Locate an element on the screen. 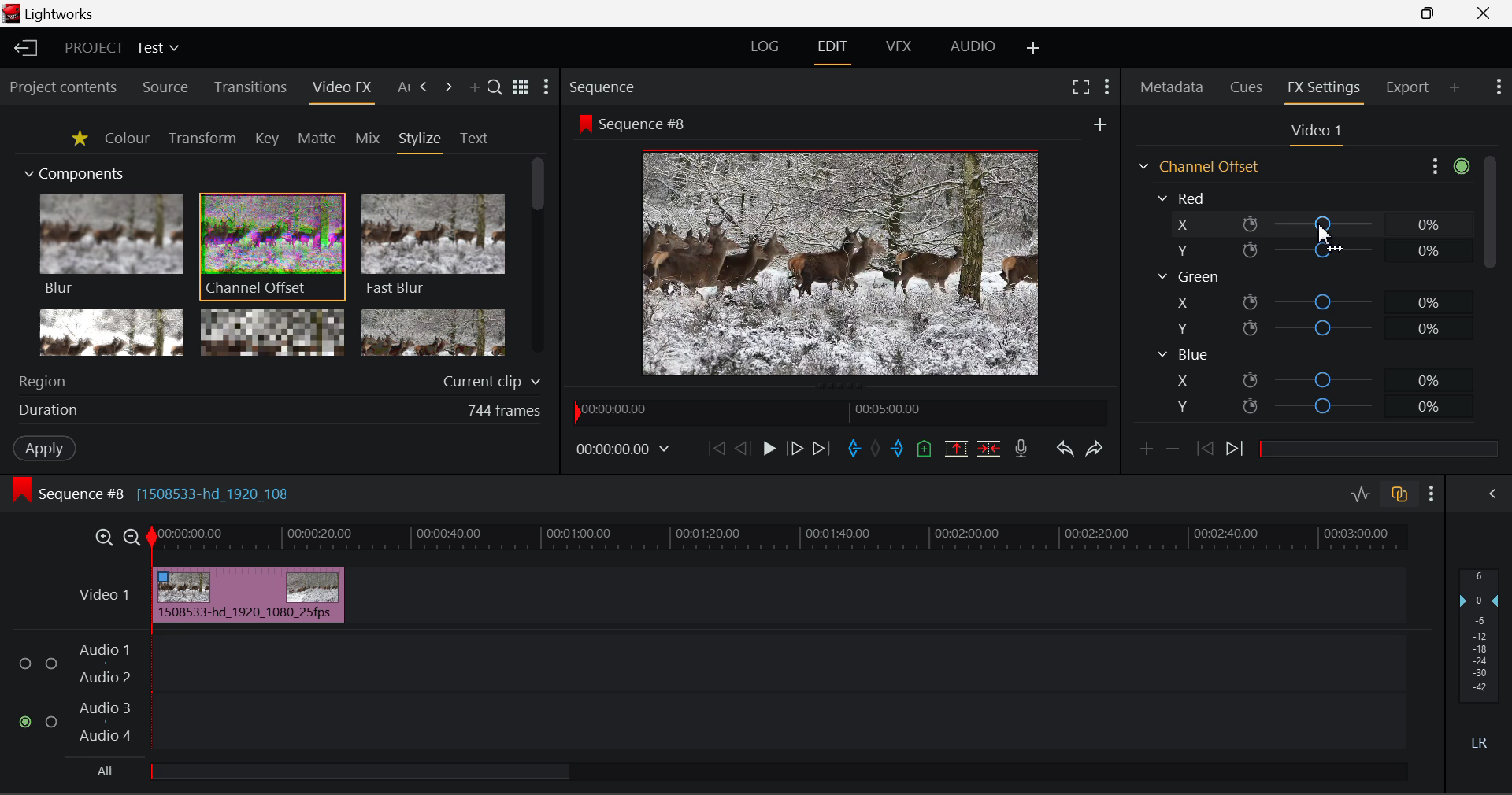 Image resolution: width=1512 pixels, height=795 pixels. Scroll Bar is located at coordinates (1489, 294).